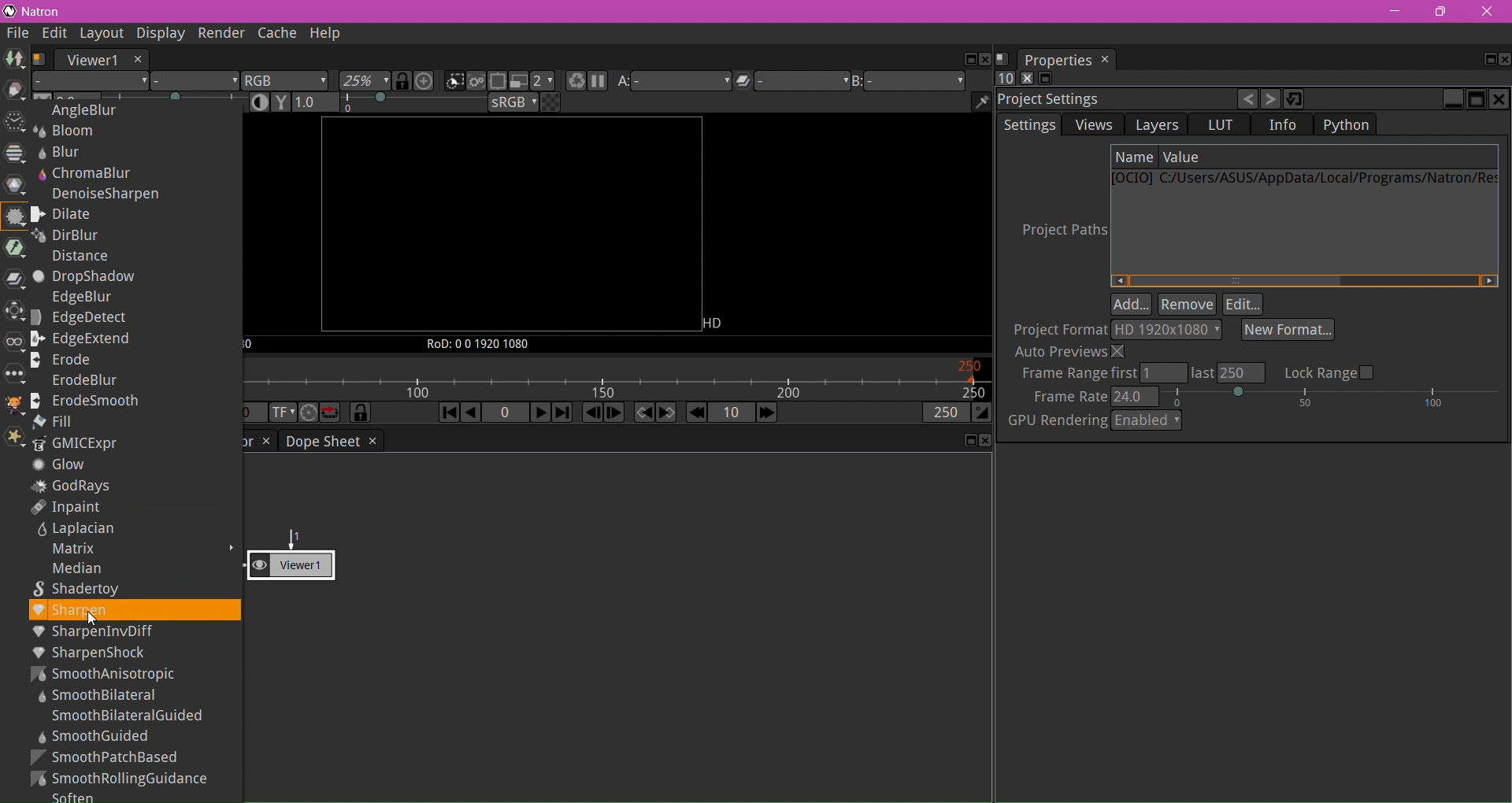  What do you see at coordinates (73, 487) in the screenshot?
I see `GodRays` at bounding box center [73, 487].